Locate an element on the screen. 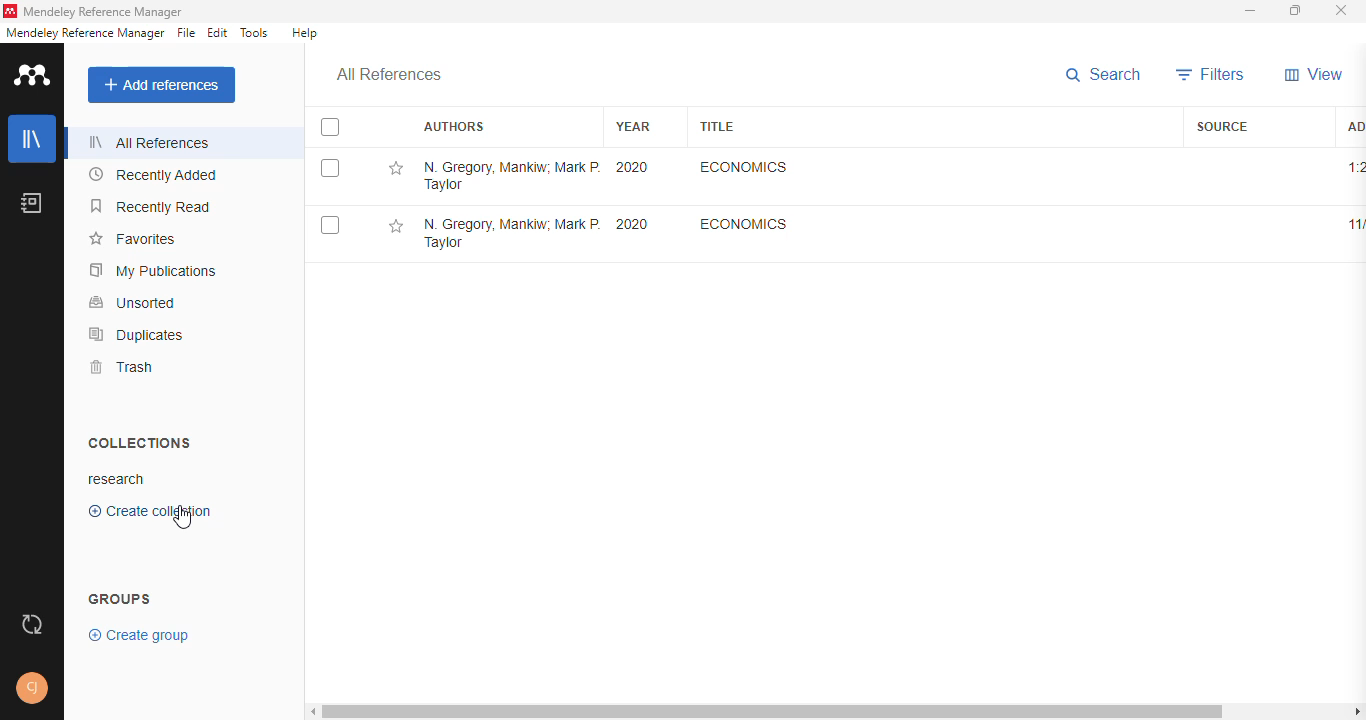 The image size is (1366, 720). horizontal scroll bar is located at coordinates (839, 710).